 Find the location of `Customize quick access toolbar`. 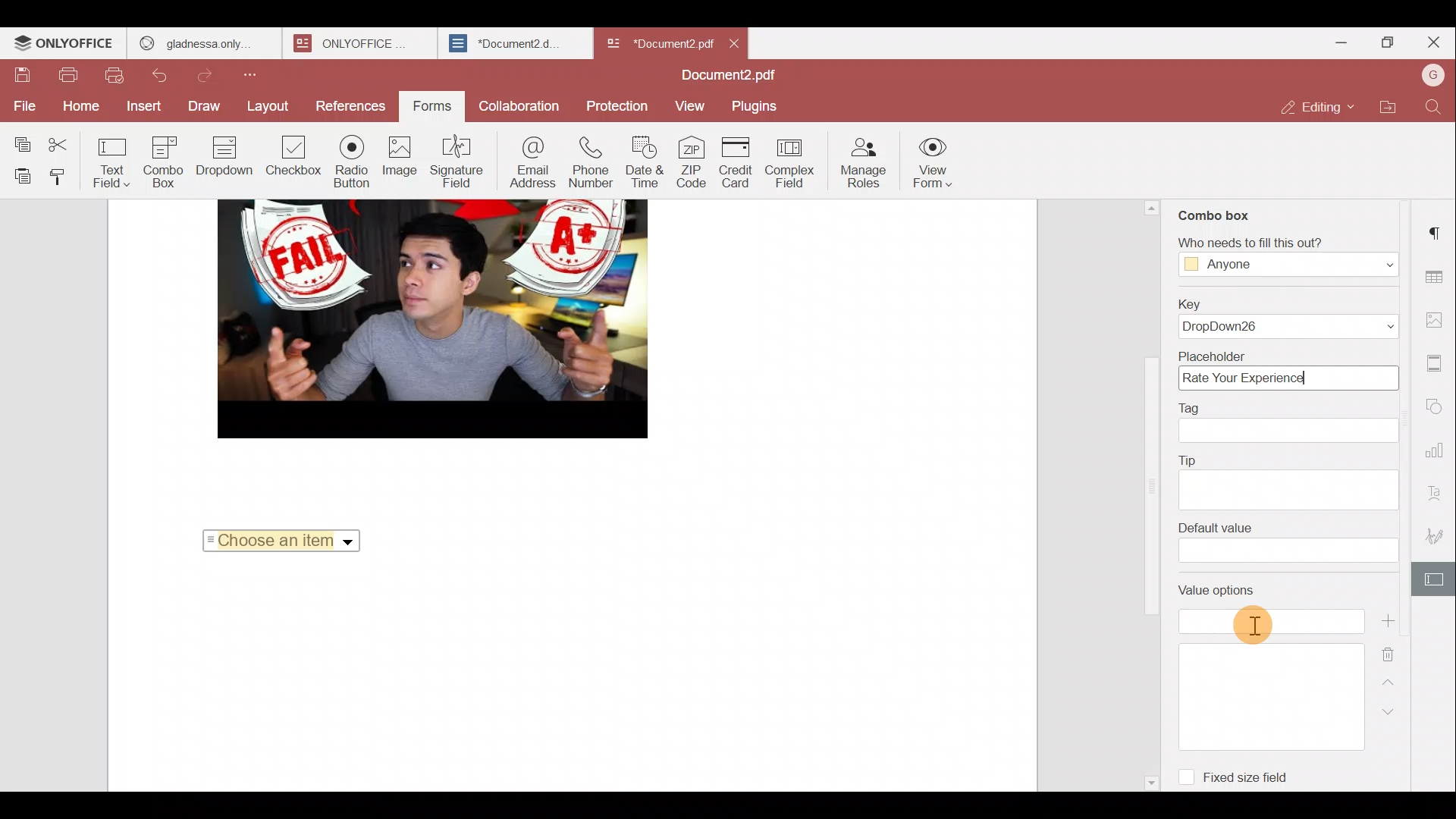

Customize quick access toolbar is located at coordinates (255, 77).